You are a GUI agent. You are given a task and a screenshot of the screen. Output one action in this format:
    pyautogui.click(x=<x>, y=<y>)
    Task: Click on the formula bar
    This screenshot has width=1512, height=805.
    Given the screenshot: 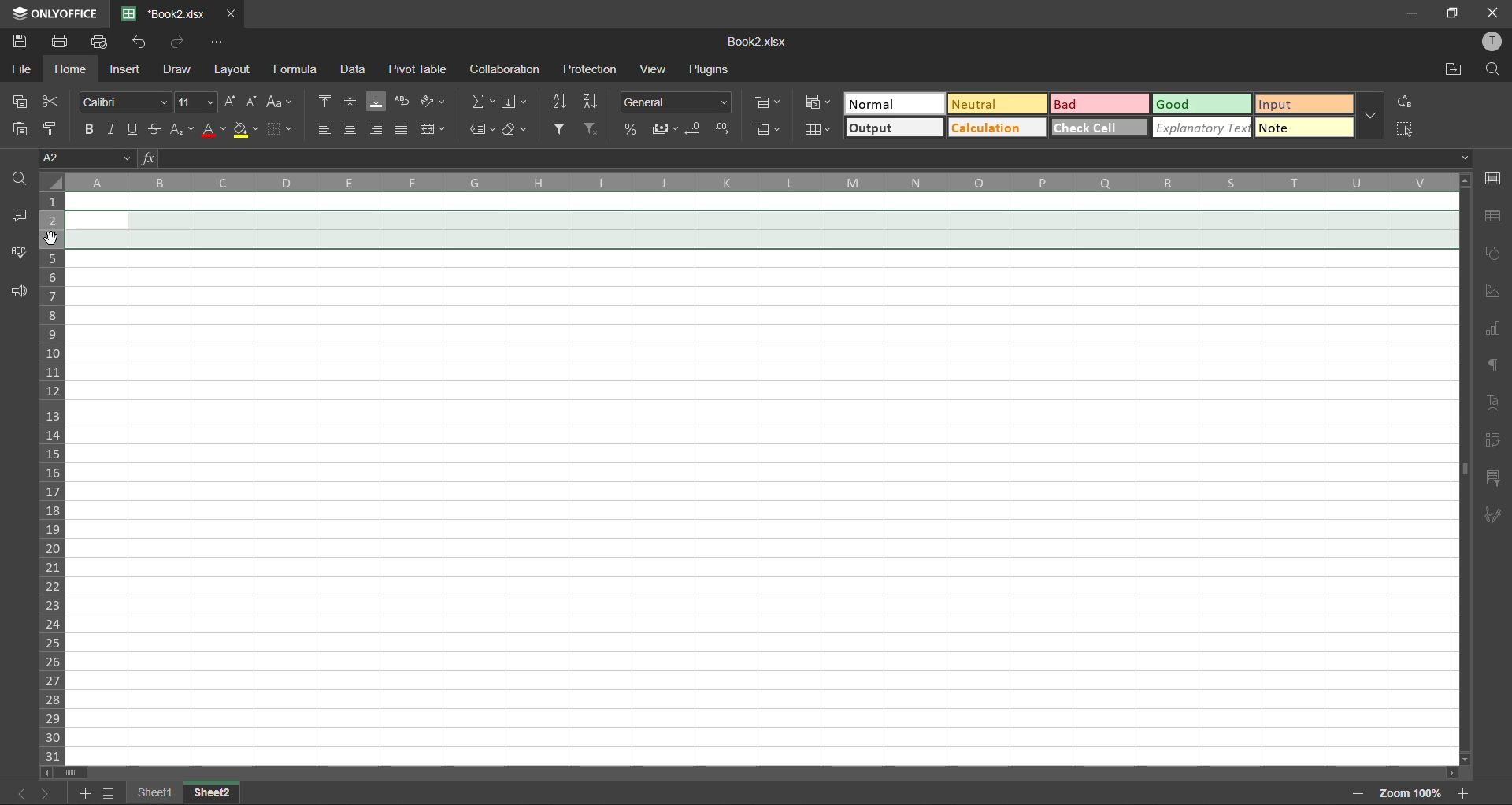 What is the action you would take?
    pyautogui.click(x=813, y=160)
    